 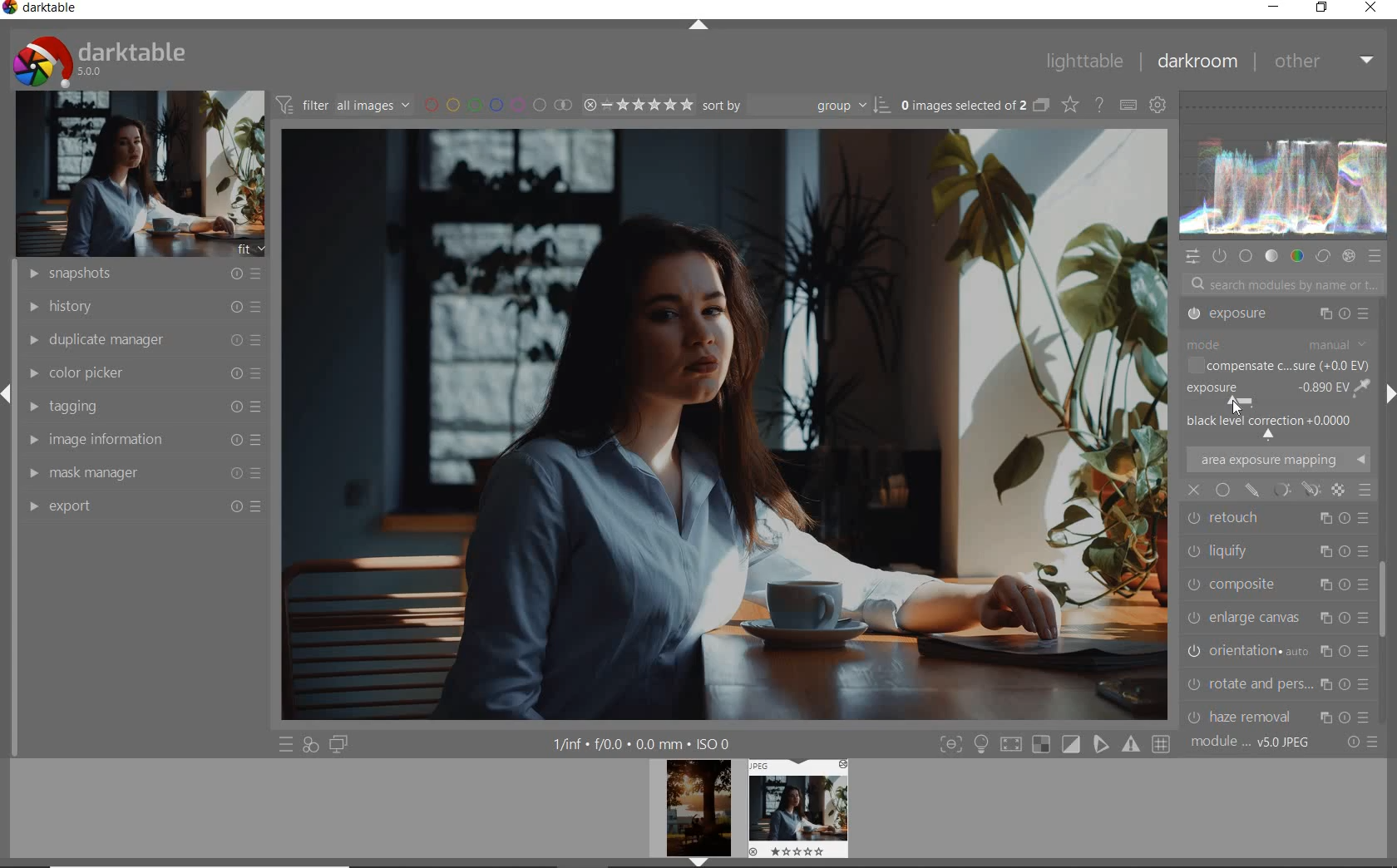 I want to click on IMAGE, so click(x=136, y=173).